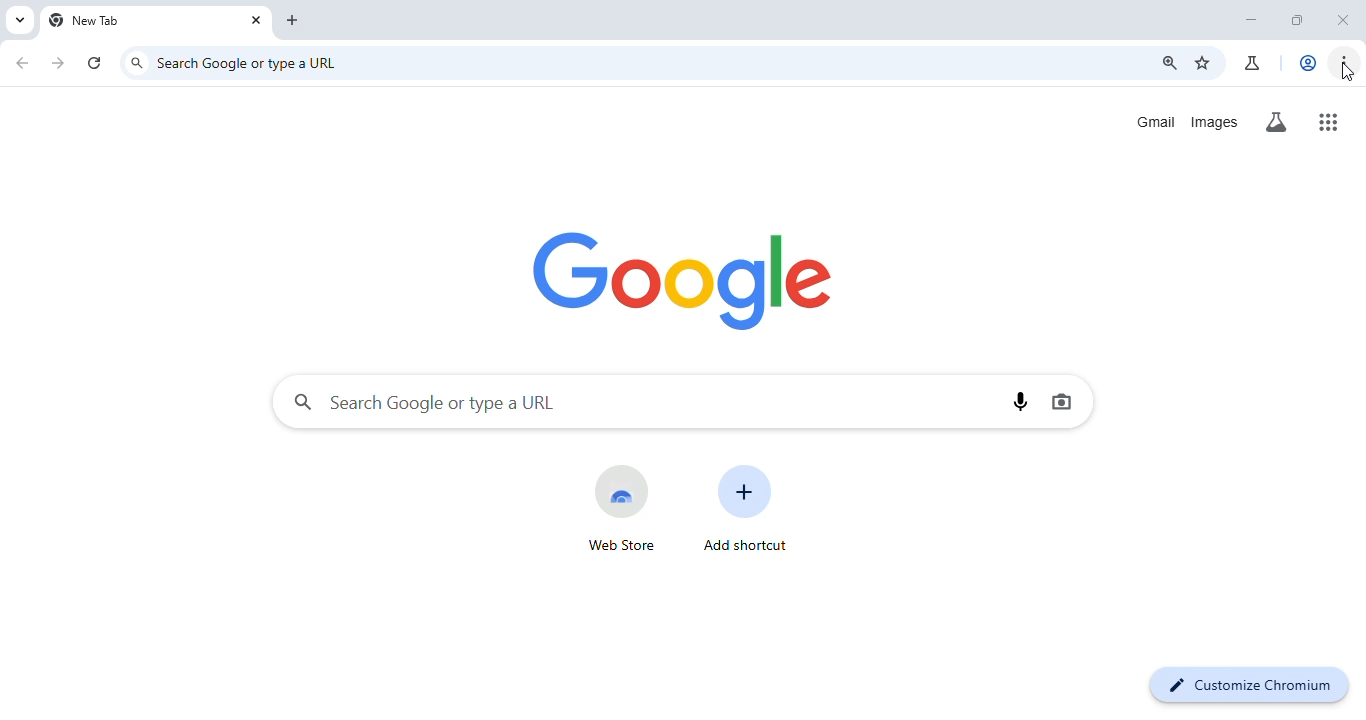 This screenshot has height=720, width=1366. What do you see at coordinates (749, 509) in the screenshot?
I see `add shortcut` at bounding box center [749, 509].